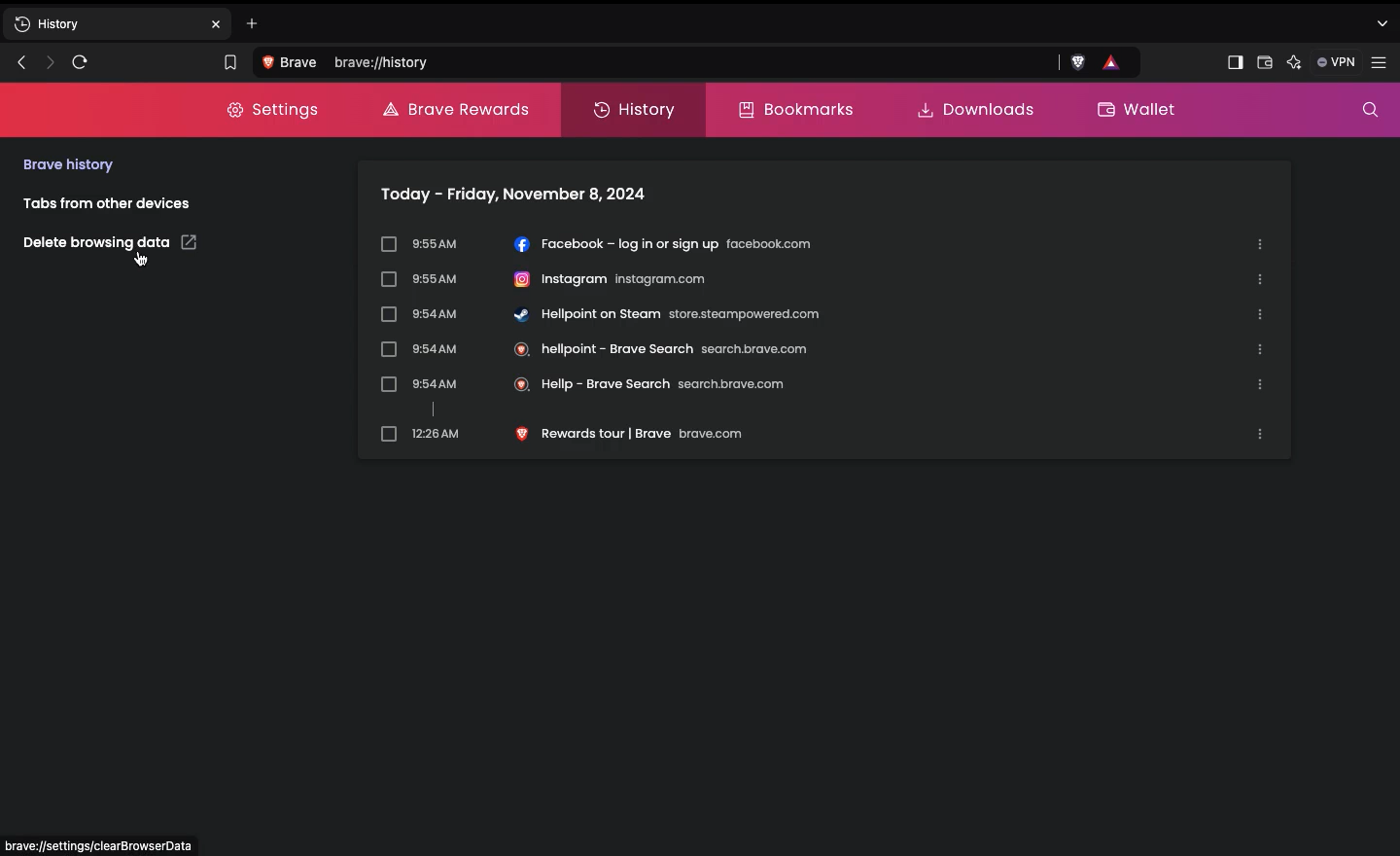  Describe the element at coordinates (639, 108) in the screenshot. I see `History` at that location.